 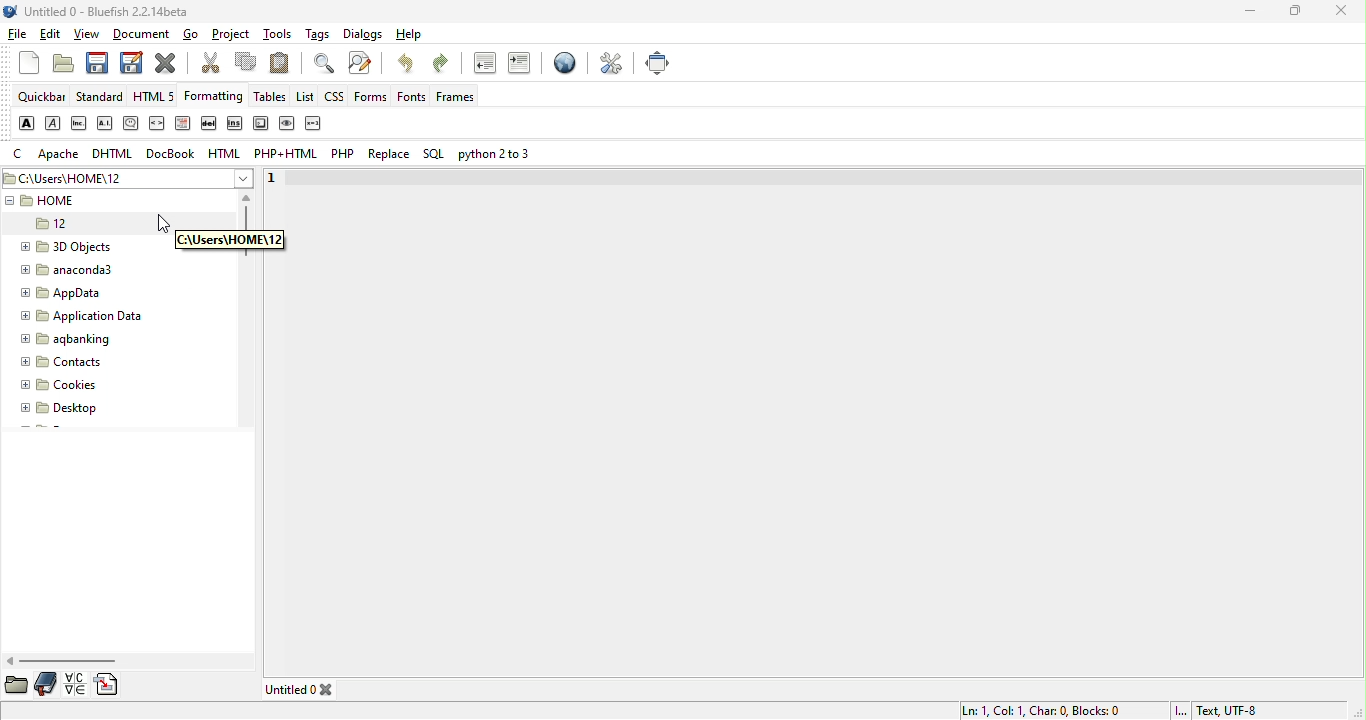 What do you see at coordinates (89, 35) in the screenshot?
I see `view` at bounding box center [89, 35].